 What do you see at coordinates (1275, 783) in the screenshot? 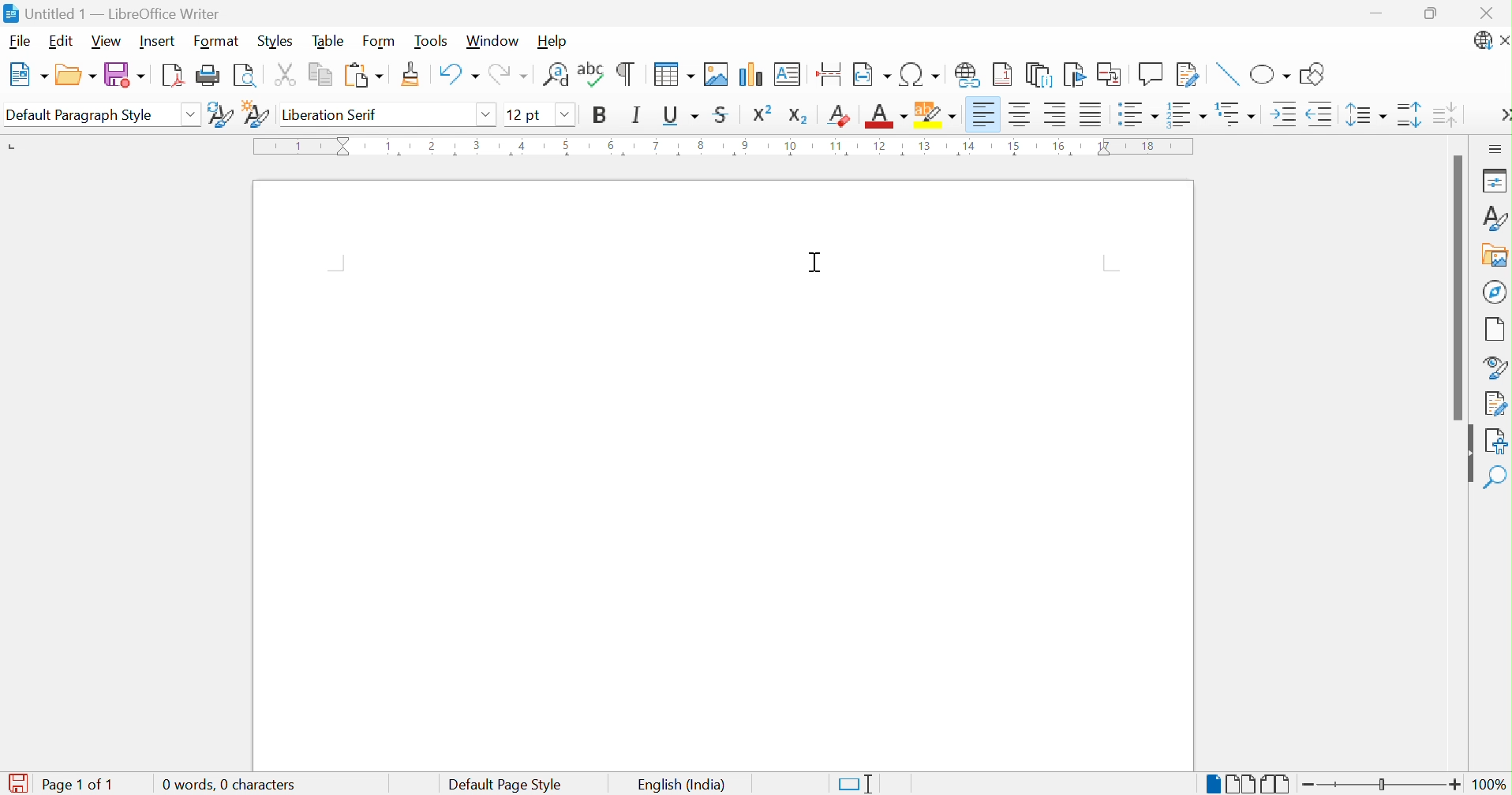
I see `Book view` at bounding box center [1275, 783].